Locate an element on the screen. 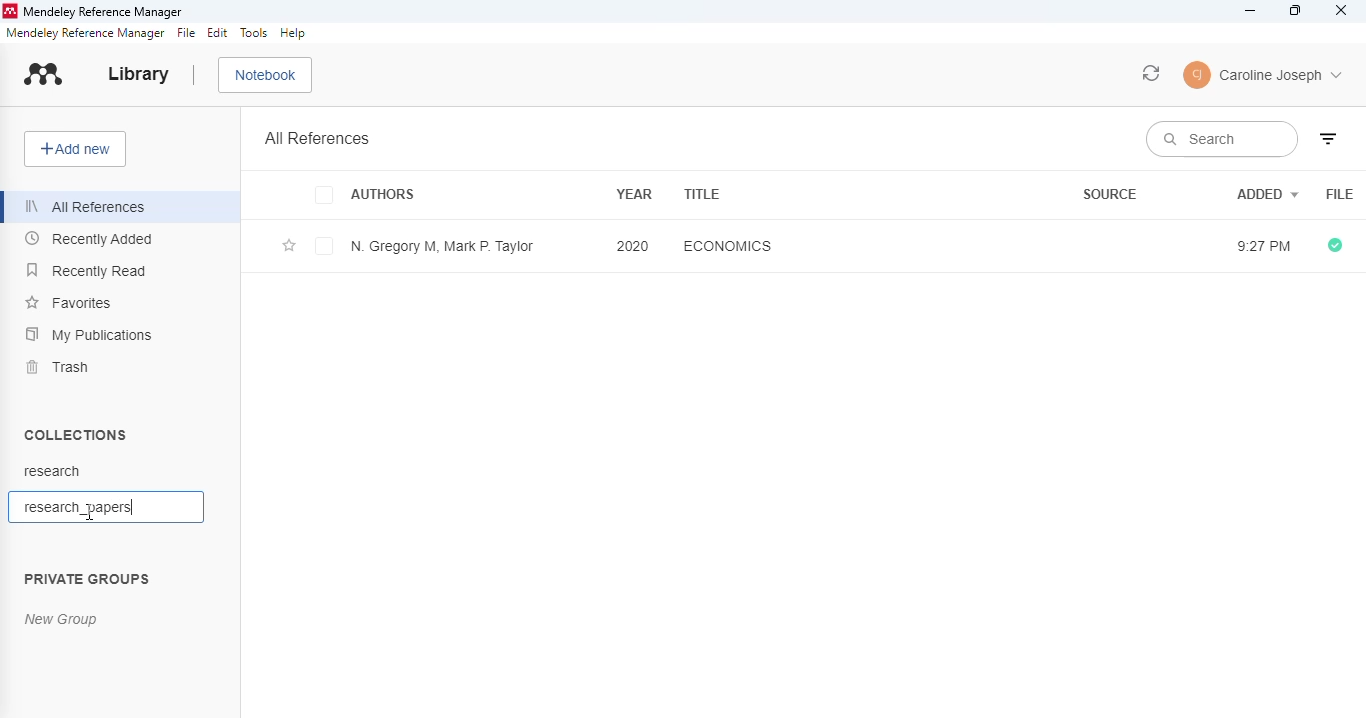  research is located at coordinates (52, 471).